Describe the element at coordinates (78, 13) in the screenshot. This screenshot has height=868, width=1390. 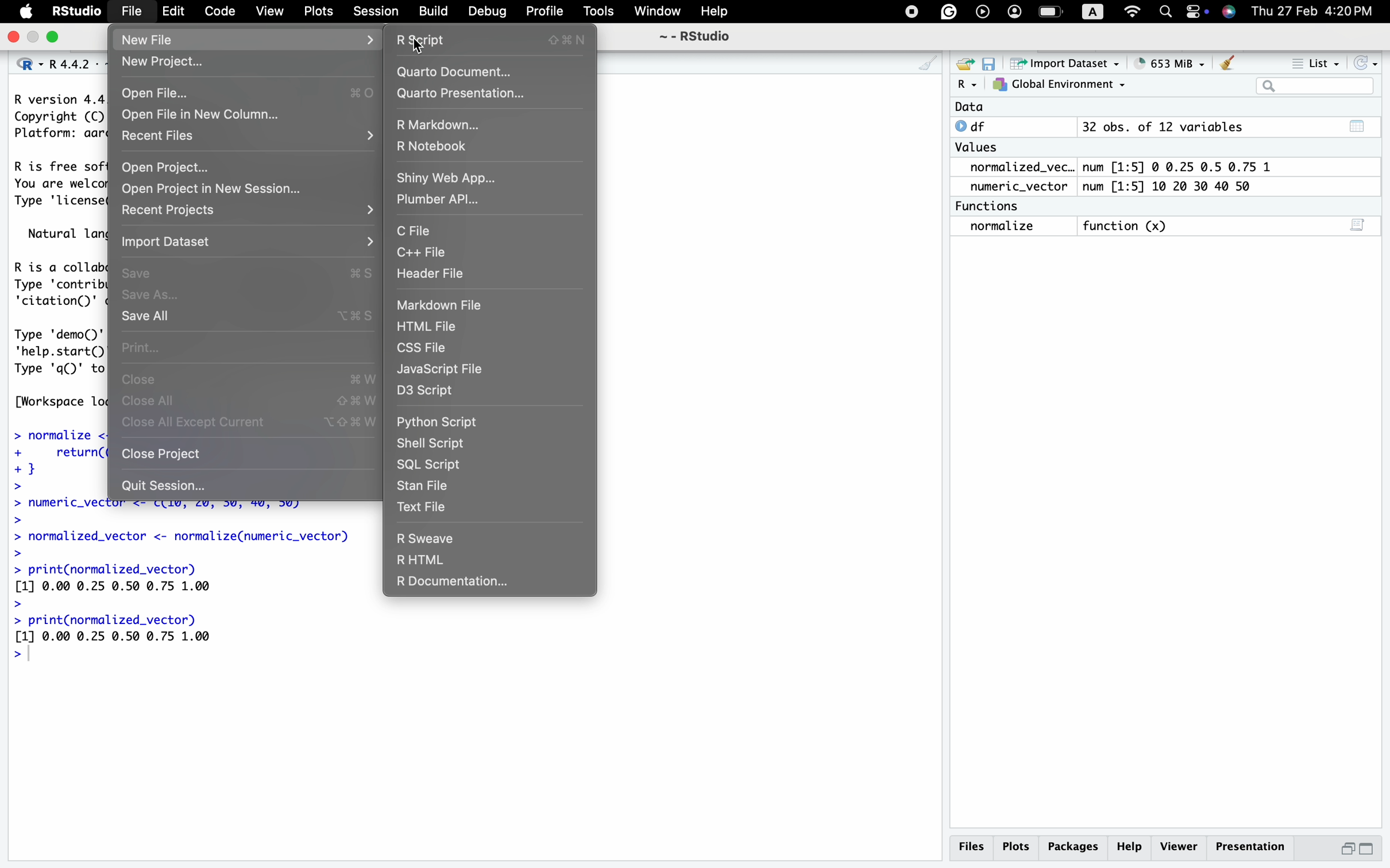
I see `RStudio` at that location.